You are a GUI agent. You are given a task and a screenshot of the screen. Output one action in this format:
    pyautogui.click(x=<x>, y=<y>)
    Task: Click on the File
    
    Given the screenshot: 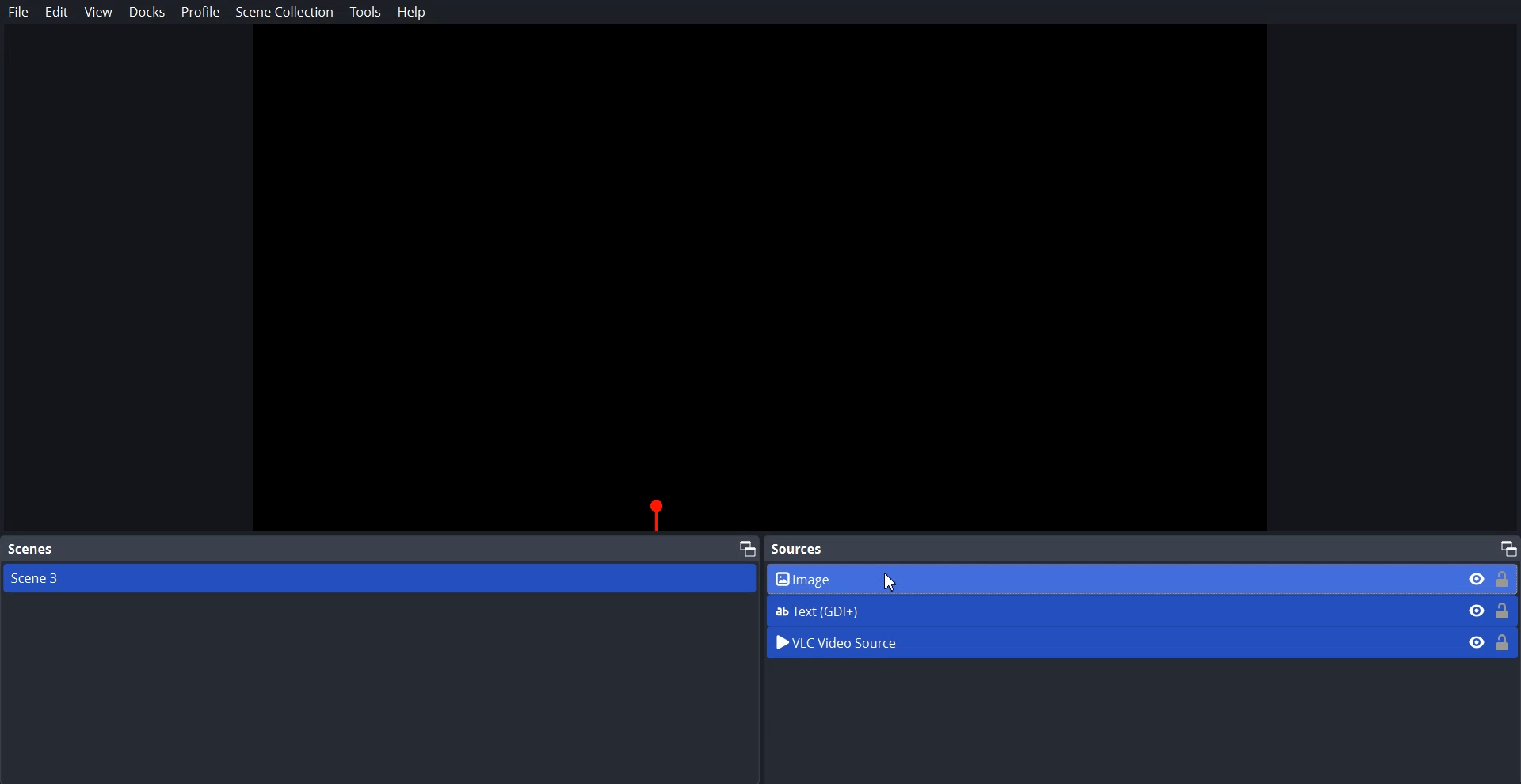 What is the action you would take?
    pyautogui.click(x=19, y=12)
    